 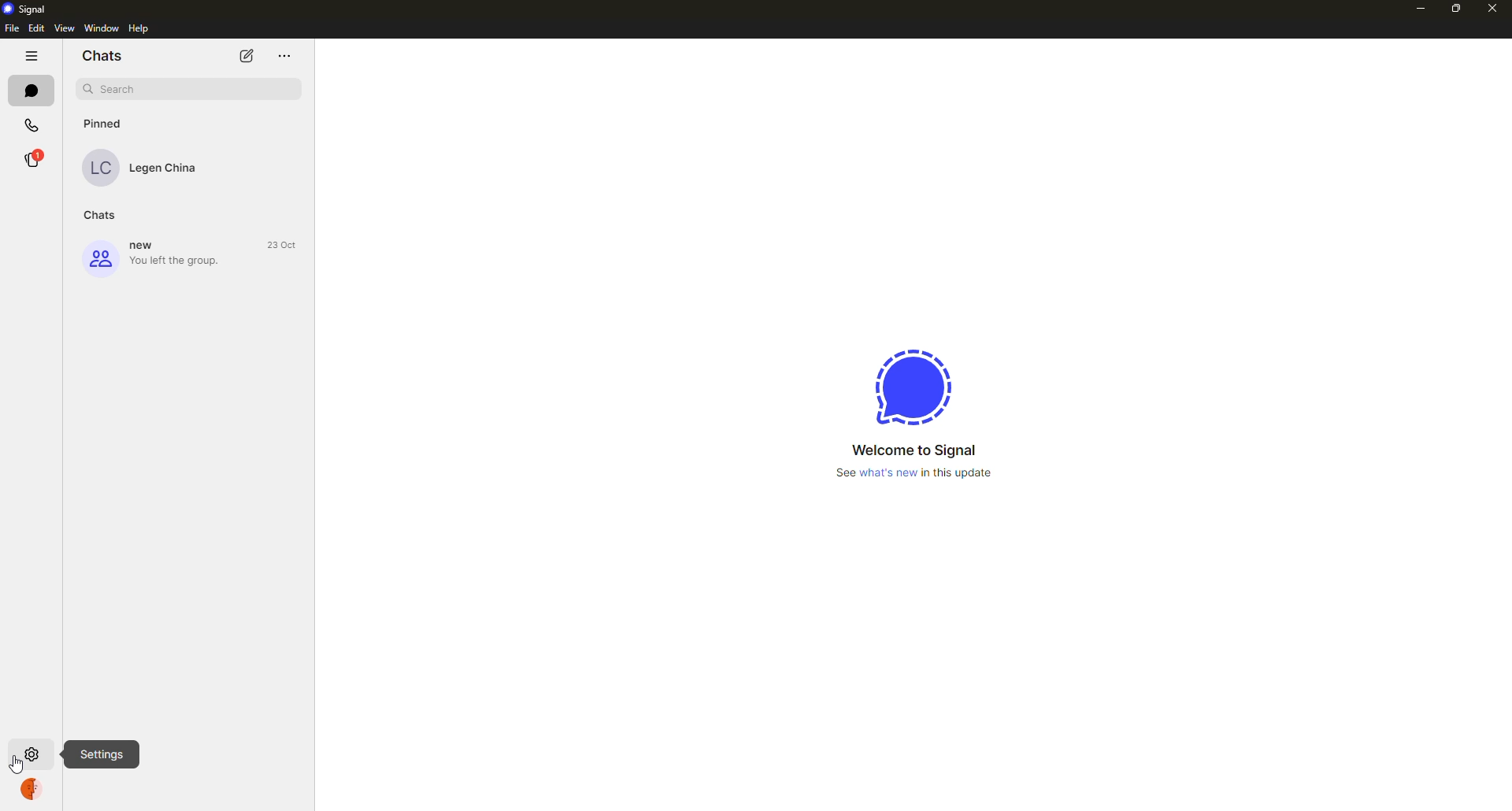 I want to click on File, so click(x=13, y=28).